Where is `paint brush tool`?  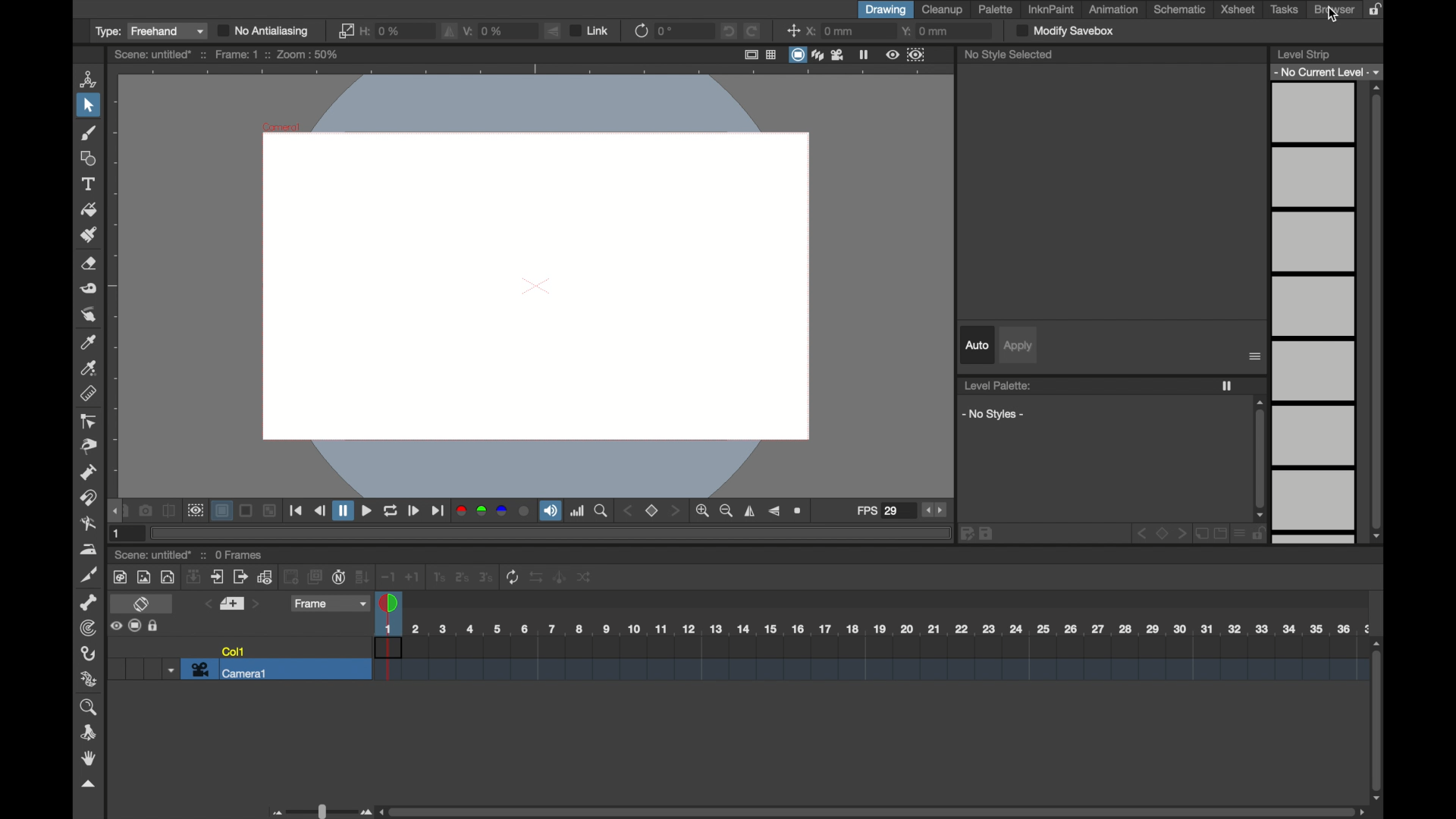 paint brush tool is located at coordinates (88, 133).